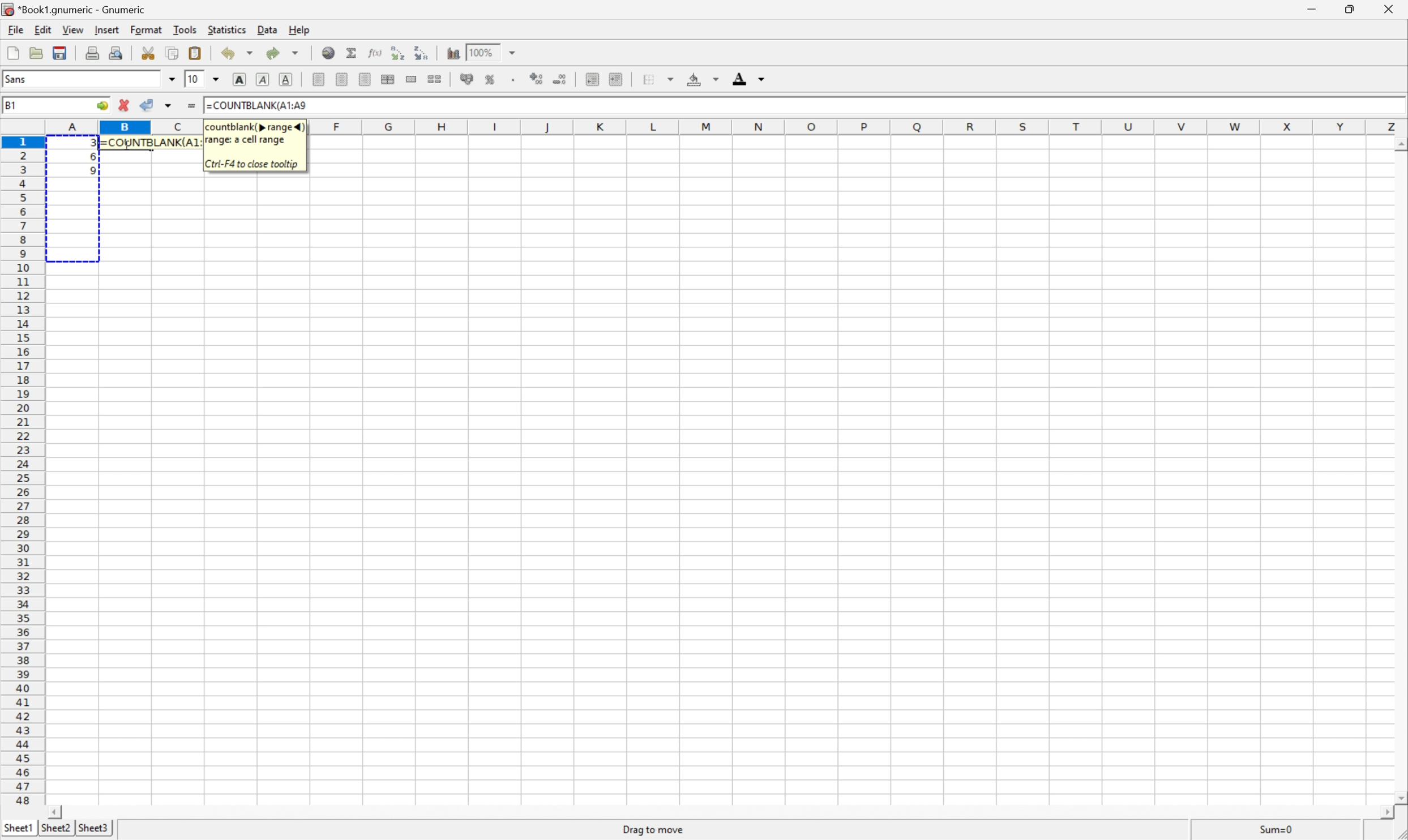 The height and width of the screenshot is (840, 1408). What do you see at coordinates (194, 53) in the screenshot?
I see `Paste a clipboard` at bounding box center [194, 53].